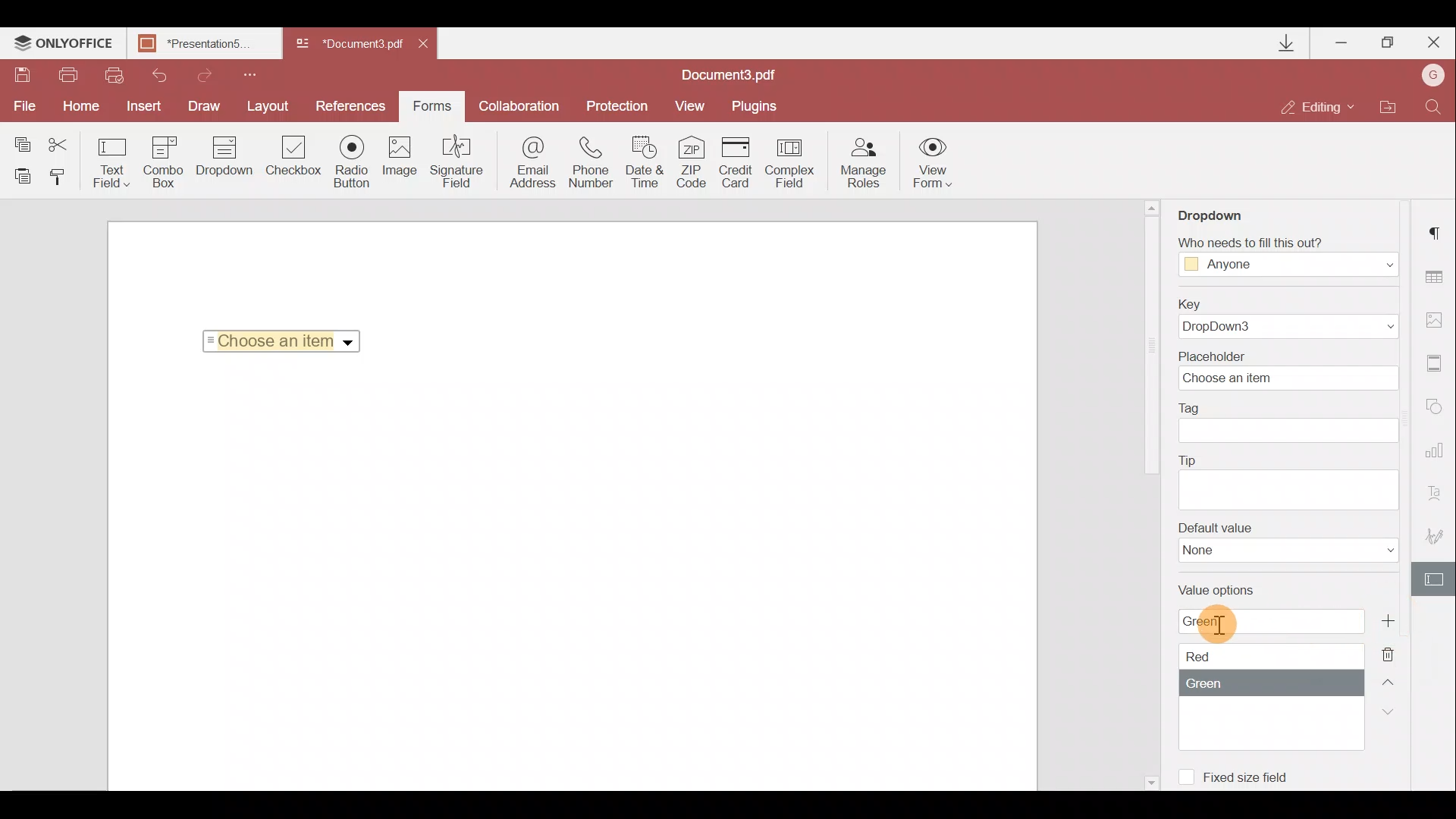 The height and width of the screenshot is (819, 1456). I want to click on Chart settings, so click(1438, 450).